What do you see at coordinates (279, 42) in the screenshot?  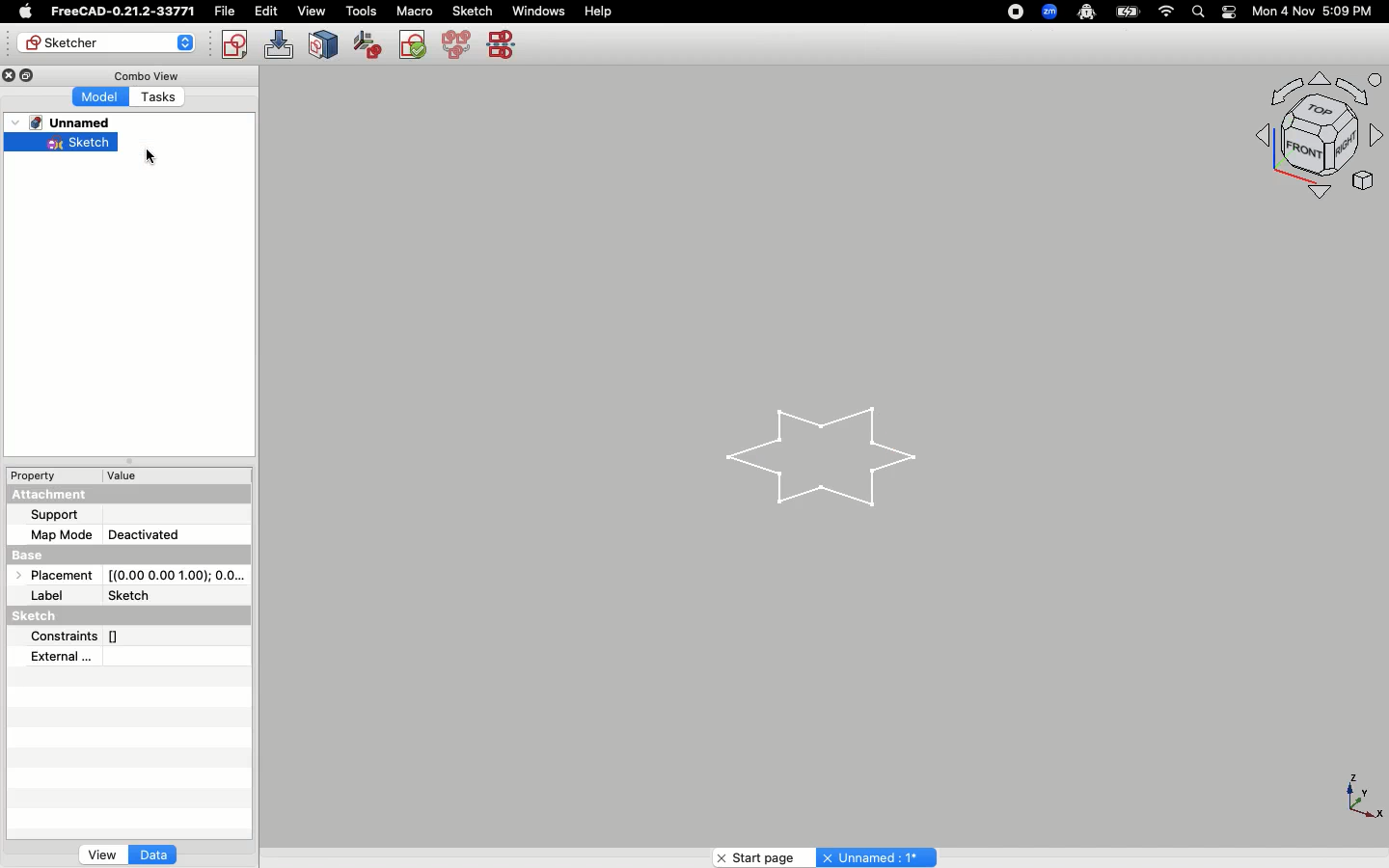 I see `Edit Sketch` at bounding box center [279, 42].